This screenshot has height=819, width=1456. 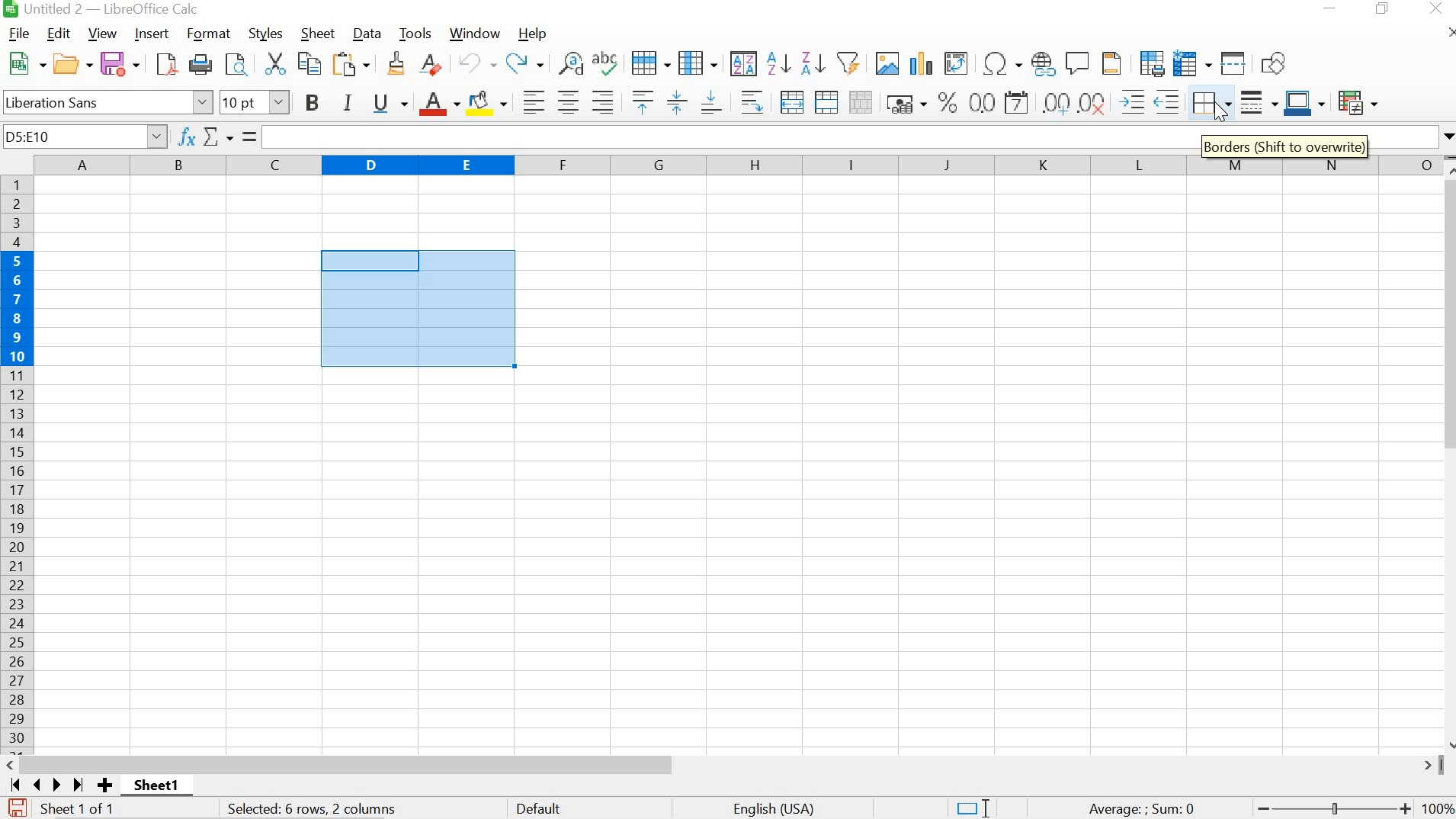 What do you see at coordinates (120, 63) in the screenshot?
I see `SAVE` at bounding box center [120, 63].